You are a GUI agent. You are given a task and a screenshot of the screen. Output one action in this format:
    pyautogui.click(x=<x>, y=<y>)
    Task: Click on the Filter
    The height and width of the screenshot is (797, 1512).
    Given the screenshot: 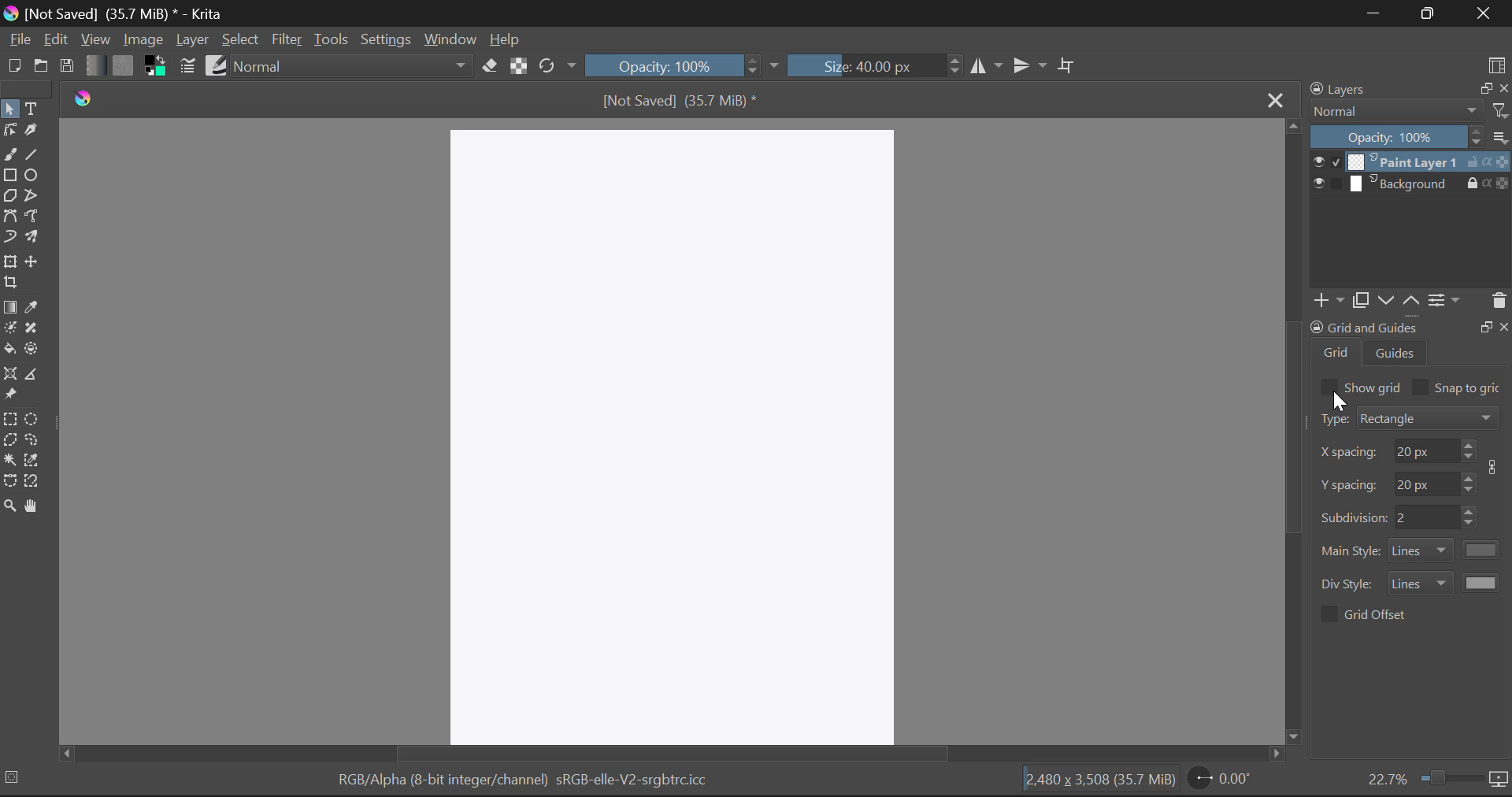 What is the action you would take?
    pyautogui.click(x=287, y=41)
    